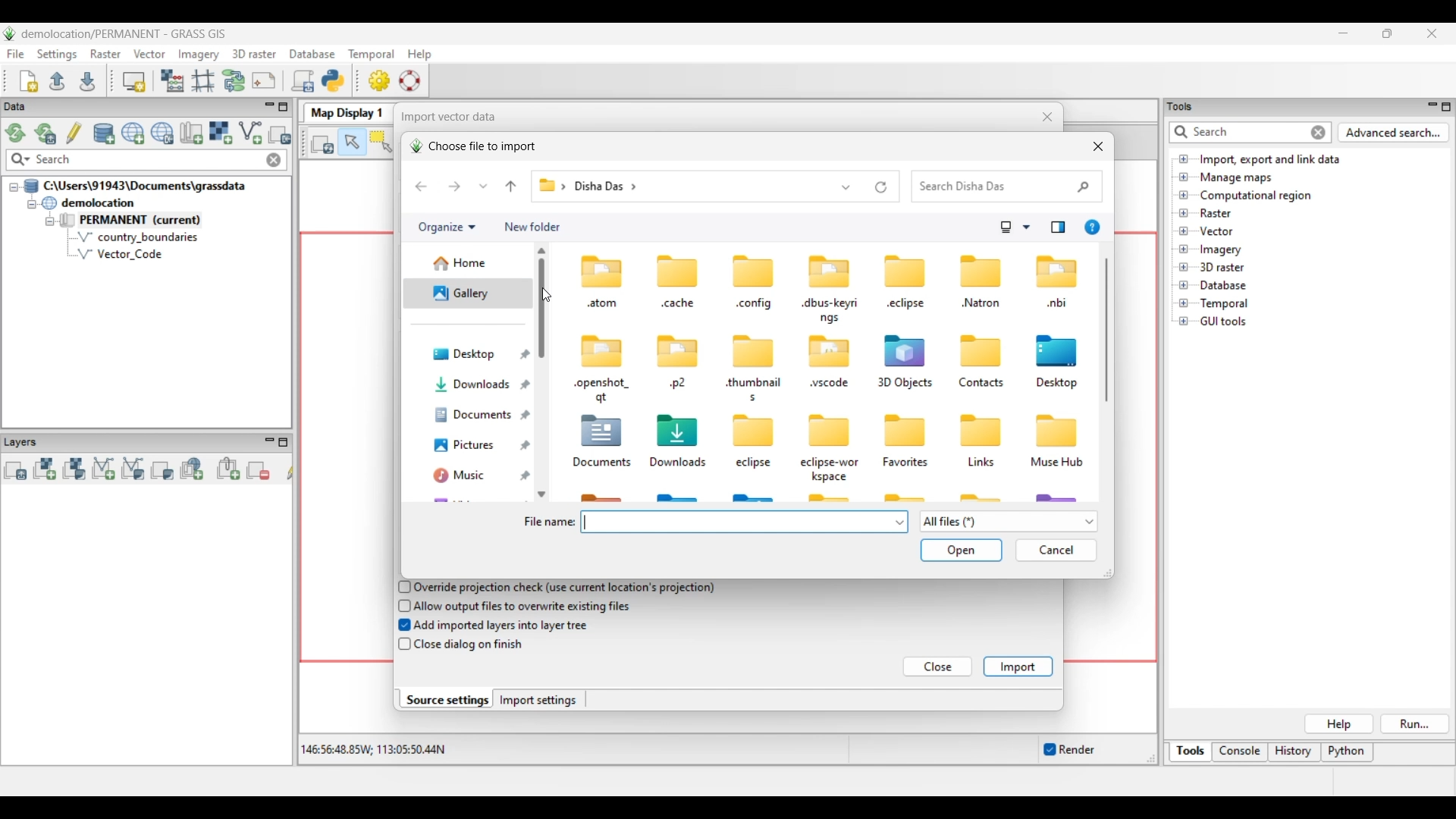 This screenshot has height=819, width=1456. What do you see at coordinates (31, 205) in the screenshot?
I see `Collapse demolition` at bounding box center [31, 205].